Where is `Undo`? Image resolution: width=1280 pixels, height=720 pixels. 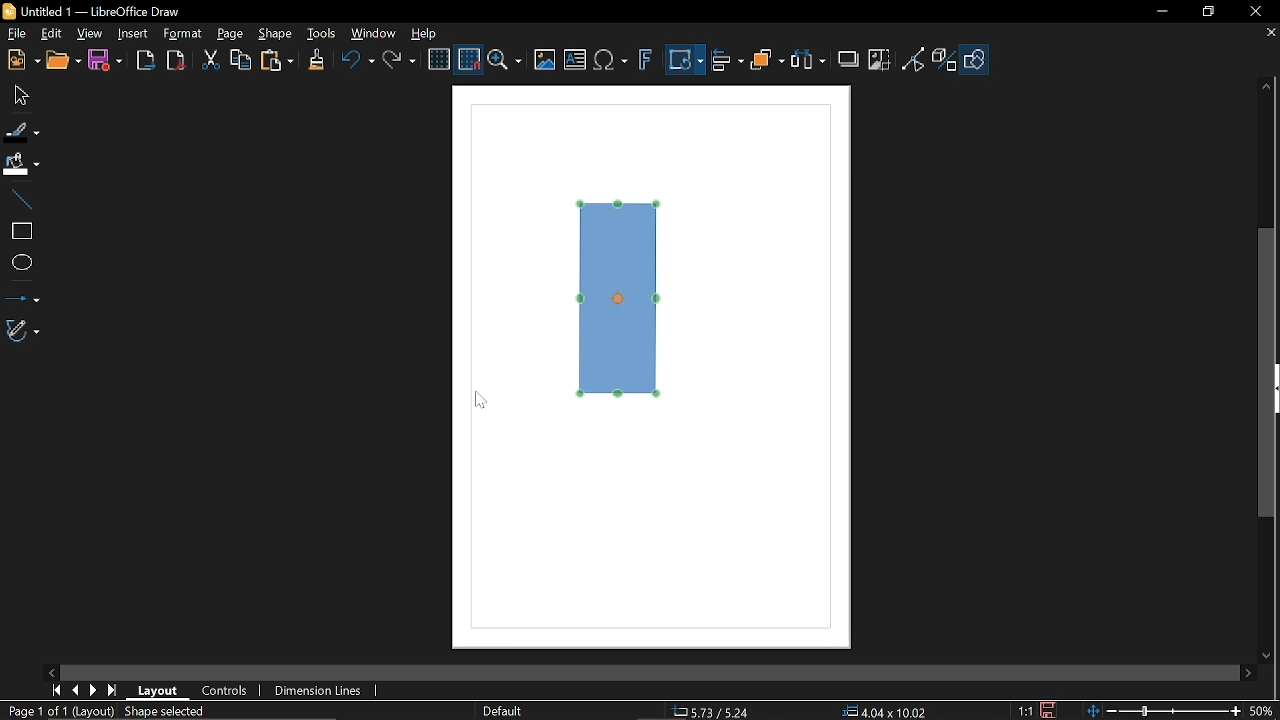
Undo is located at coordinates (355, 63).